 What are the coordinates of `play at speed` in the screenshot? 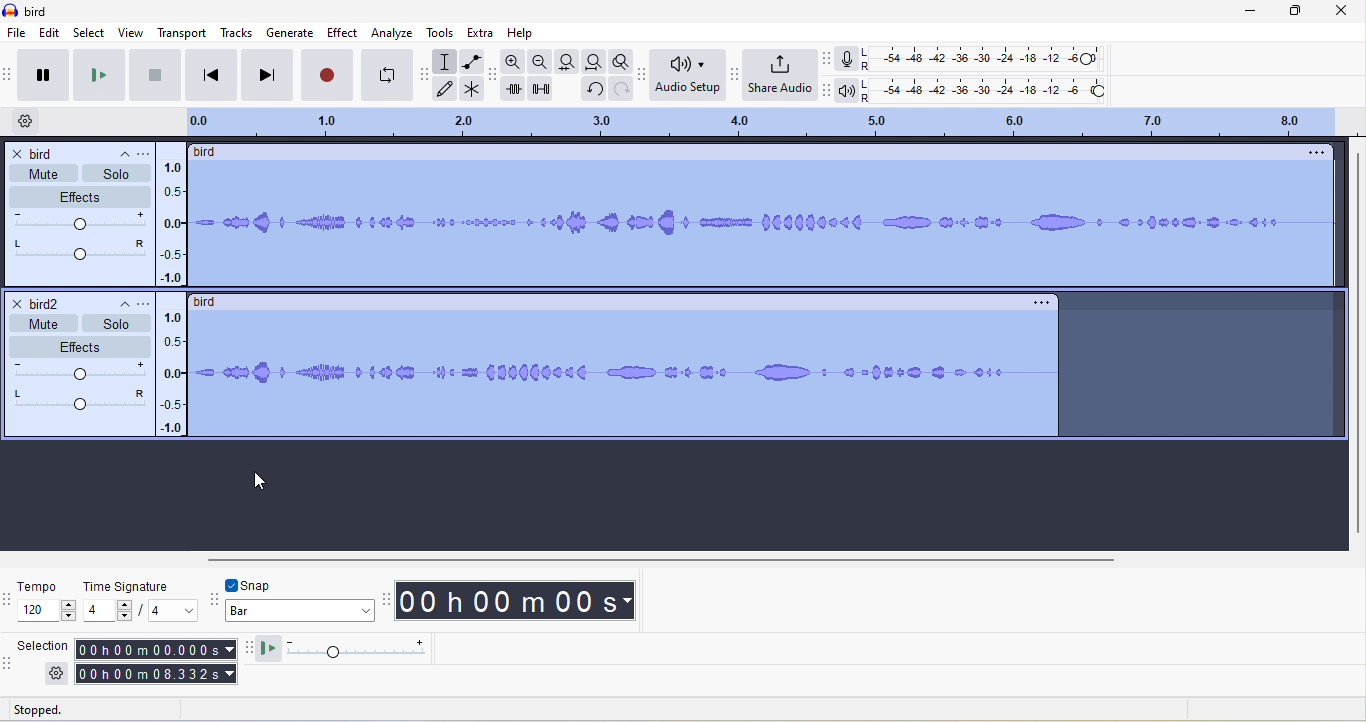 It's located at (355, 652).